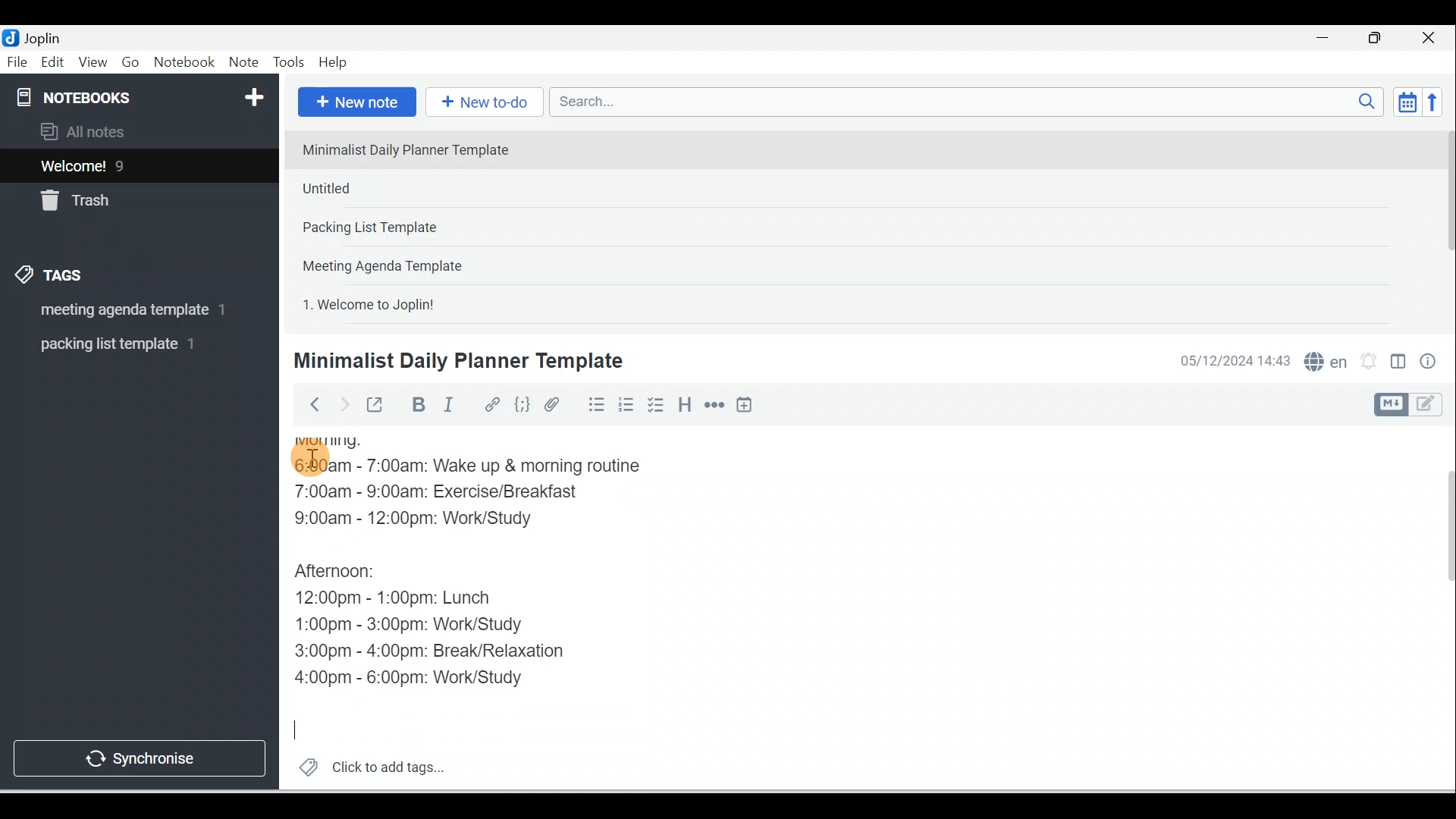  I want to click on Note properties, so click(1429, 363).